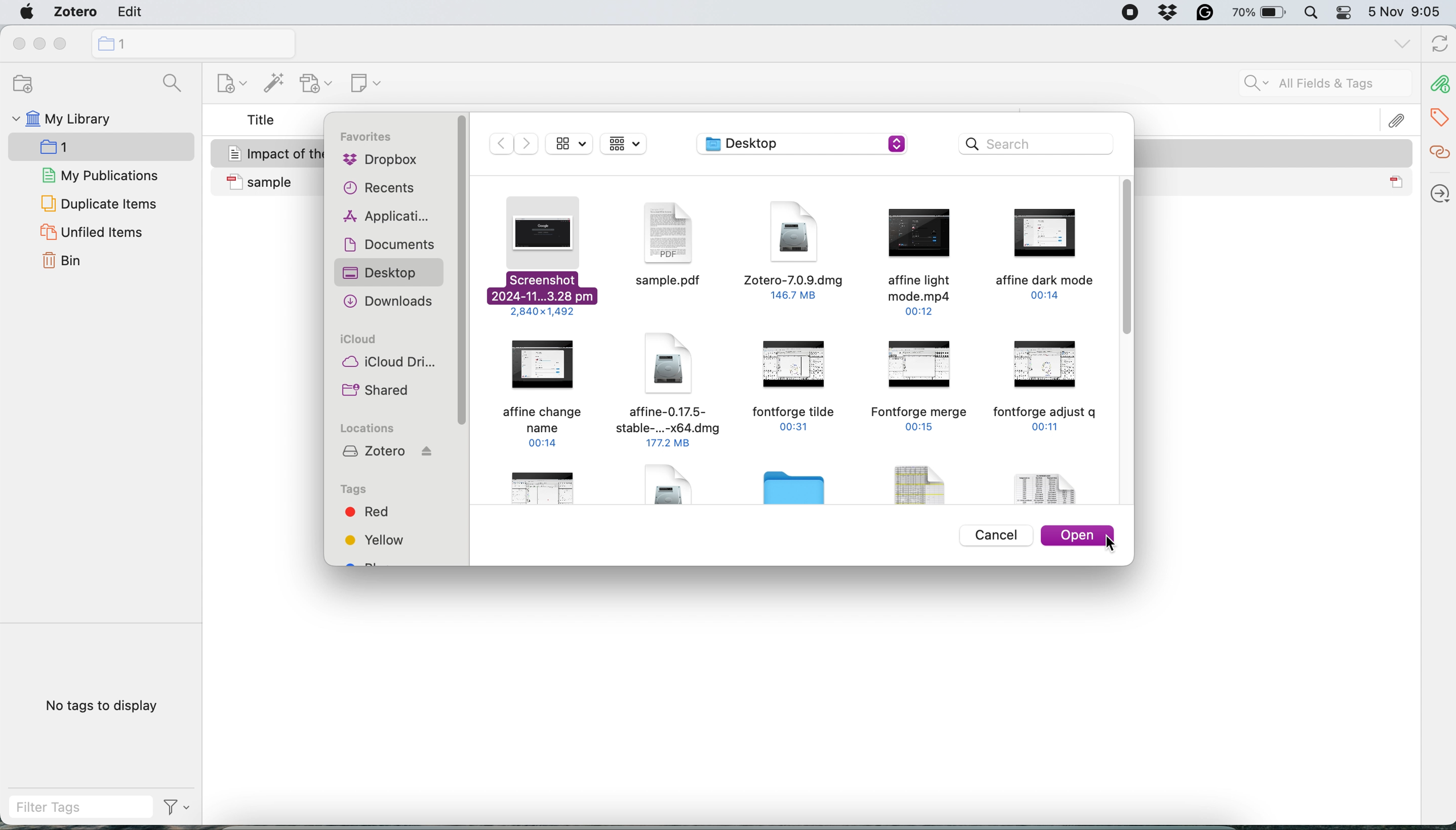 This screenshot has width=1456, height=830. I want to click on searcg, so click(168, 86).